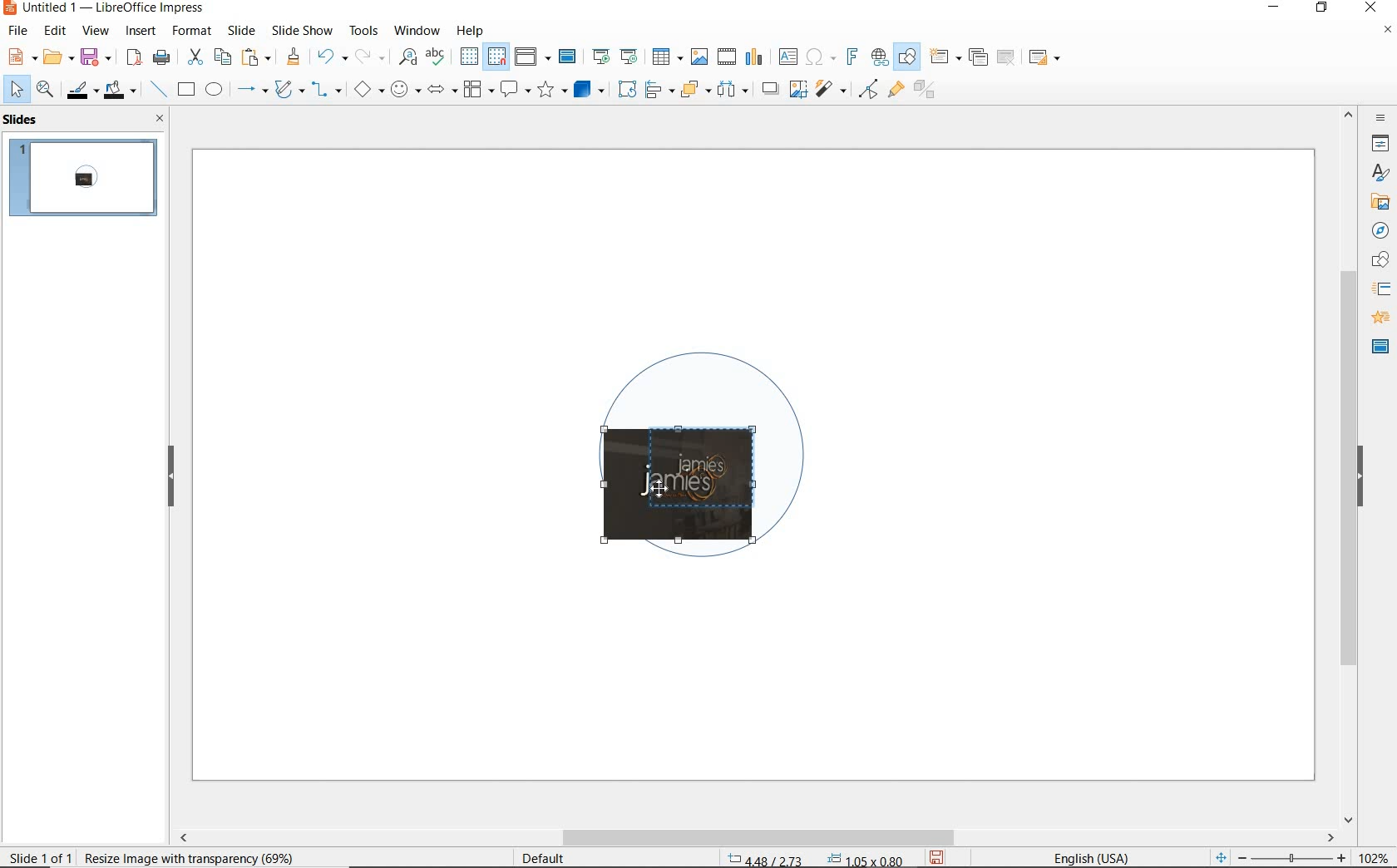  What do you see at coordinates (193, 57) in the screenshot?
I see `cut` at bounding box center [193, 57].